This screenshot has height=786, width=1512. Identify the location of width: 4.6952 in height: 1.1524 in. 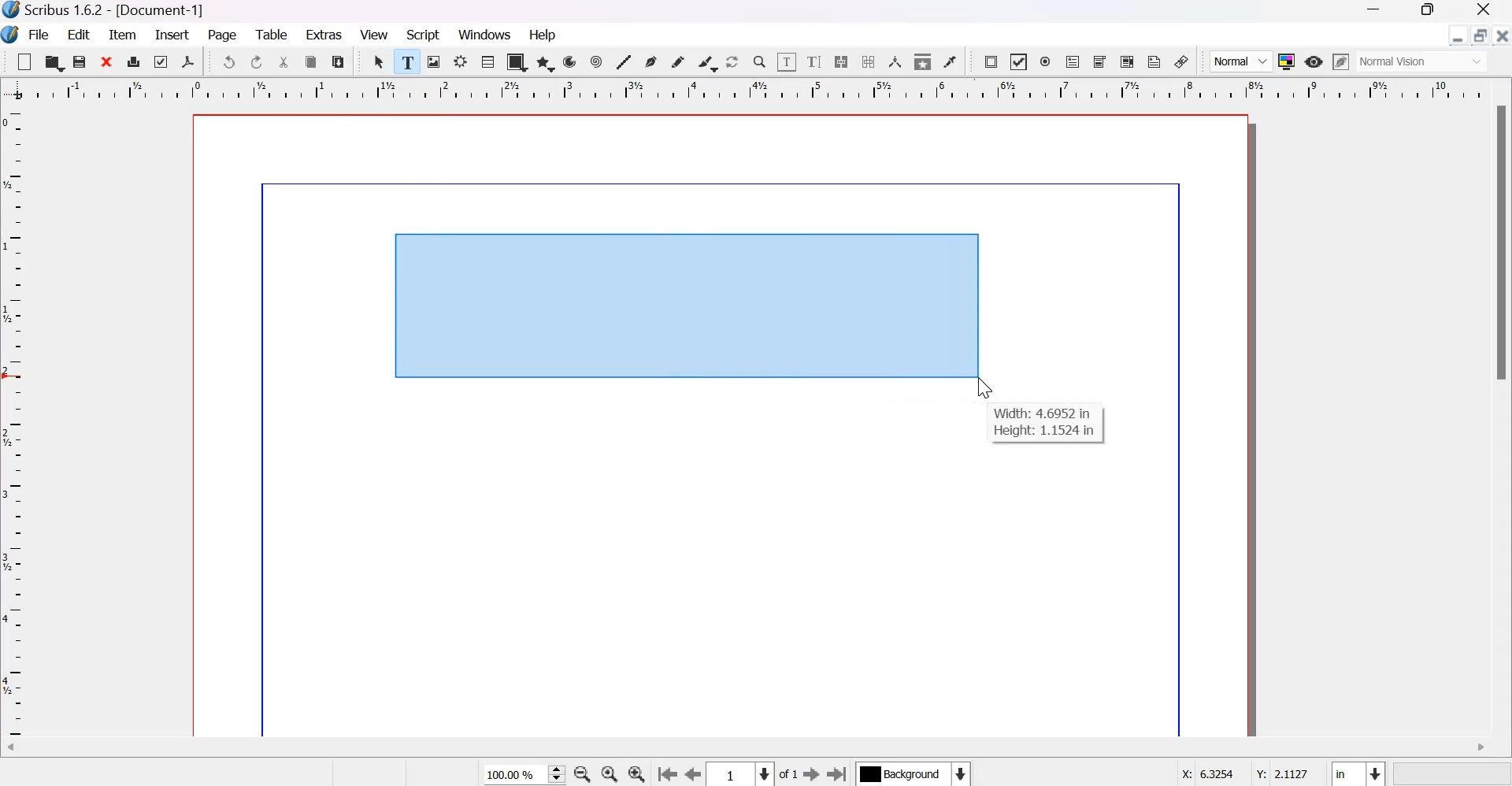
(1045, 424).